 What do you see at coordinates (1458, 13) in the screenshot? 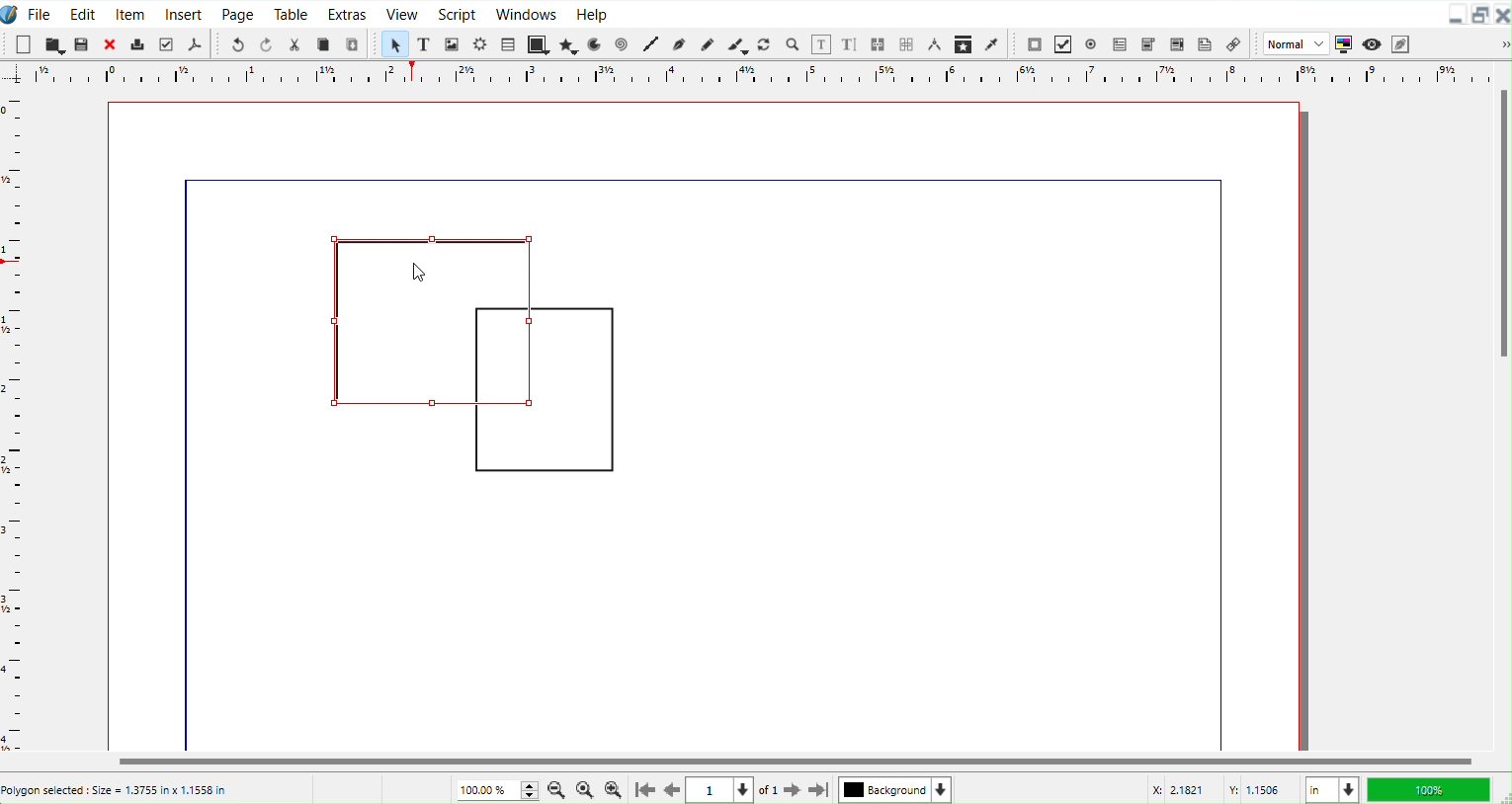
I see `Minimize` at bounding box center [1458, 13].